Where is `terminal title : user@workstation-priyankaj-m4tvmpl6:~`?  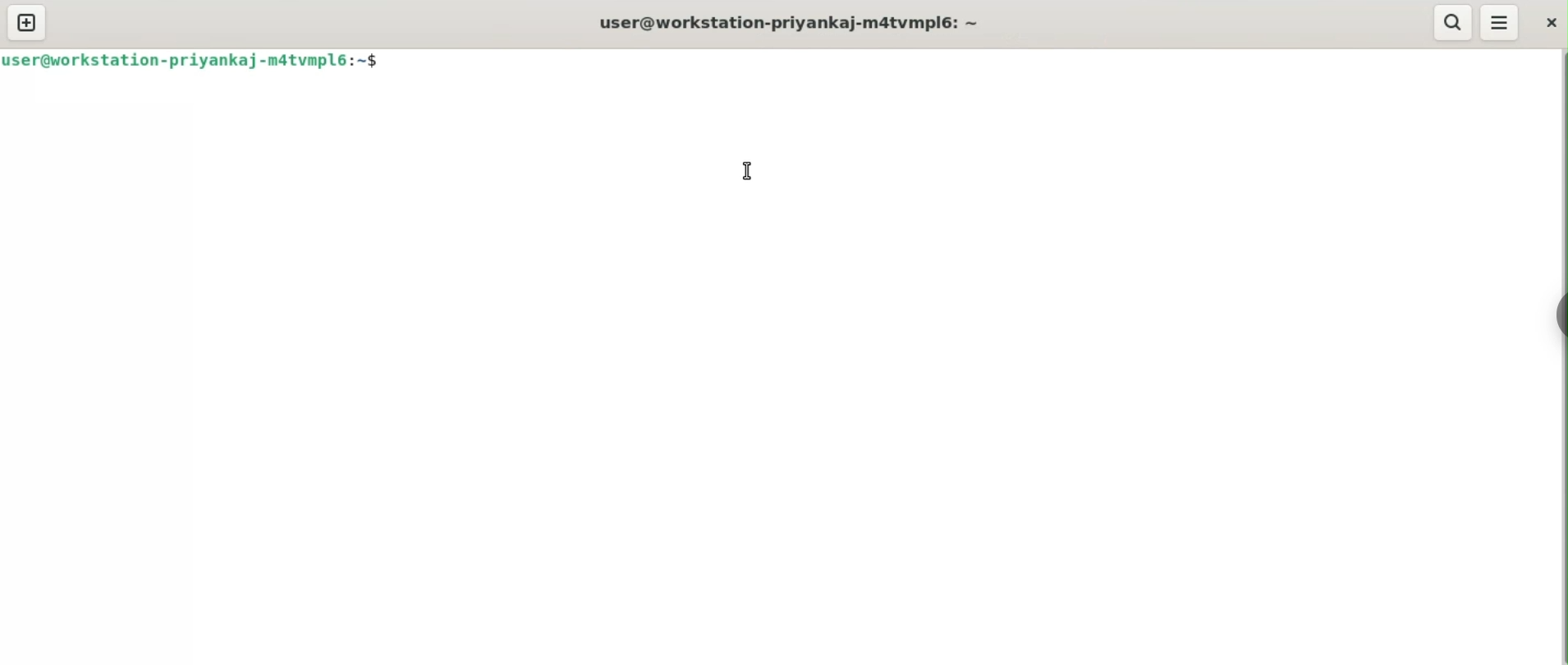
terminal title : user@workstation-priyankaj-m4tvmpl6:~ is located at coordinates (795, 20).